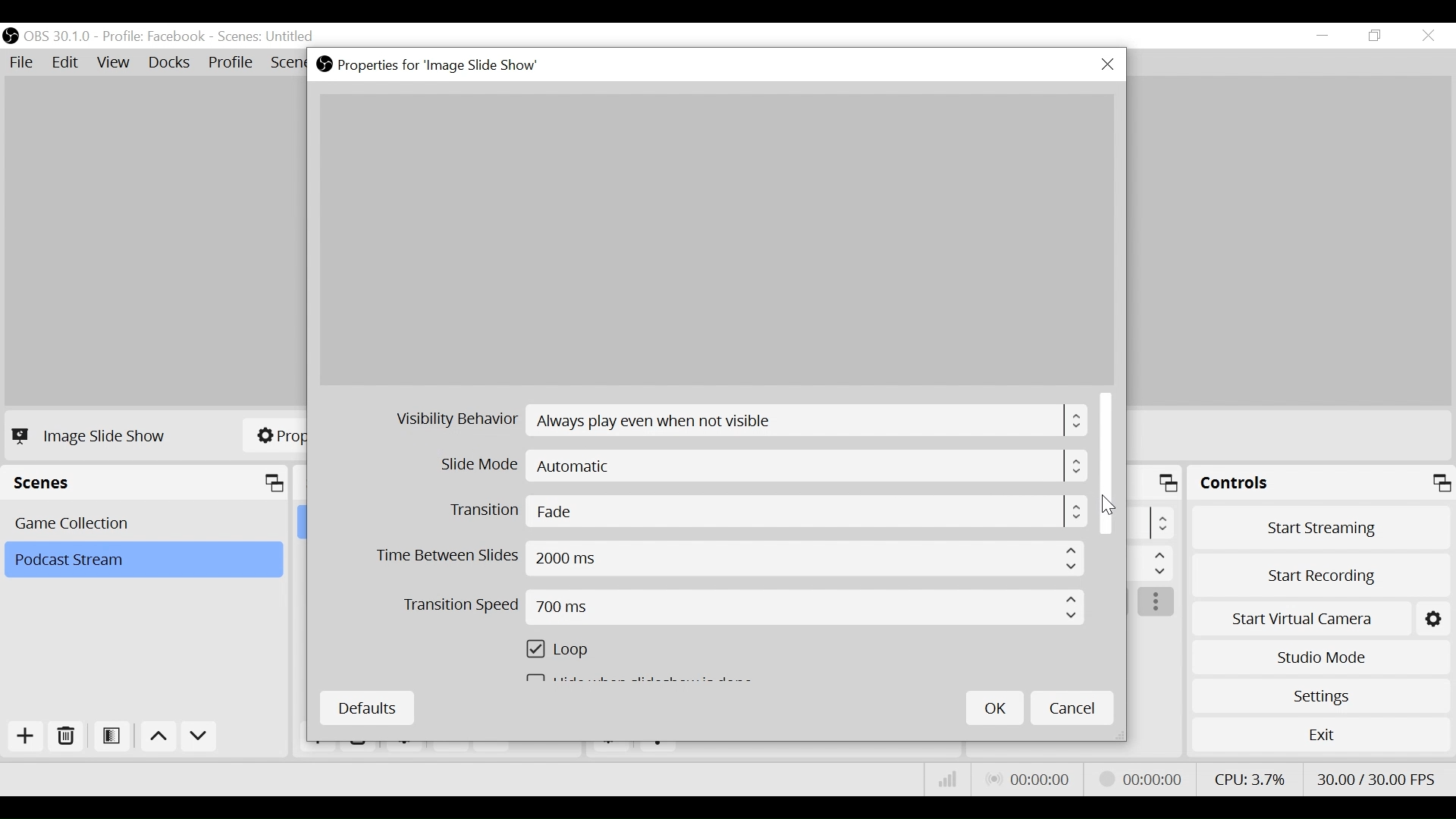 This screenshot has width=1456, height=819. I want to click on Stream Status, so click(1141, 777).